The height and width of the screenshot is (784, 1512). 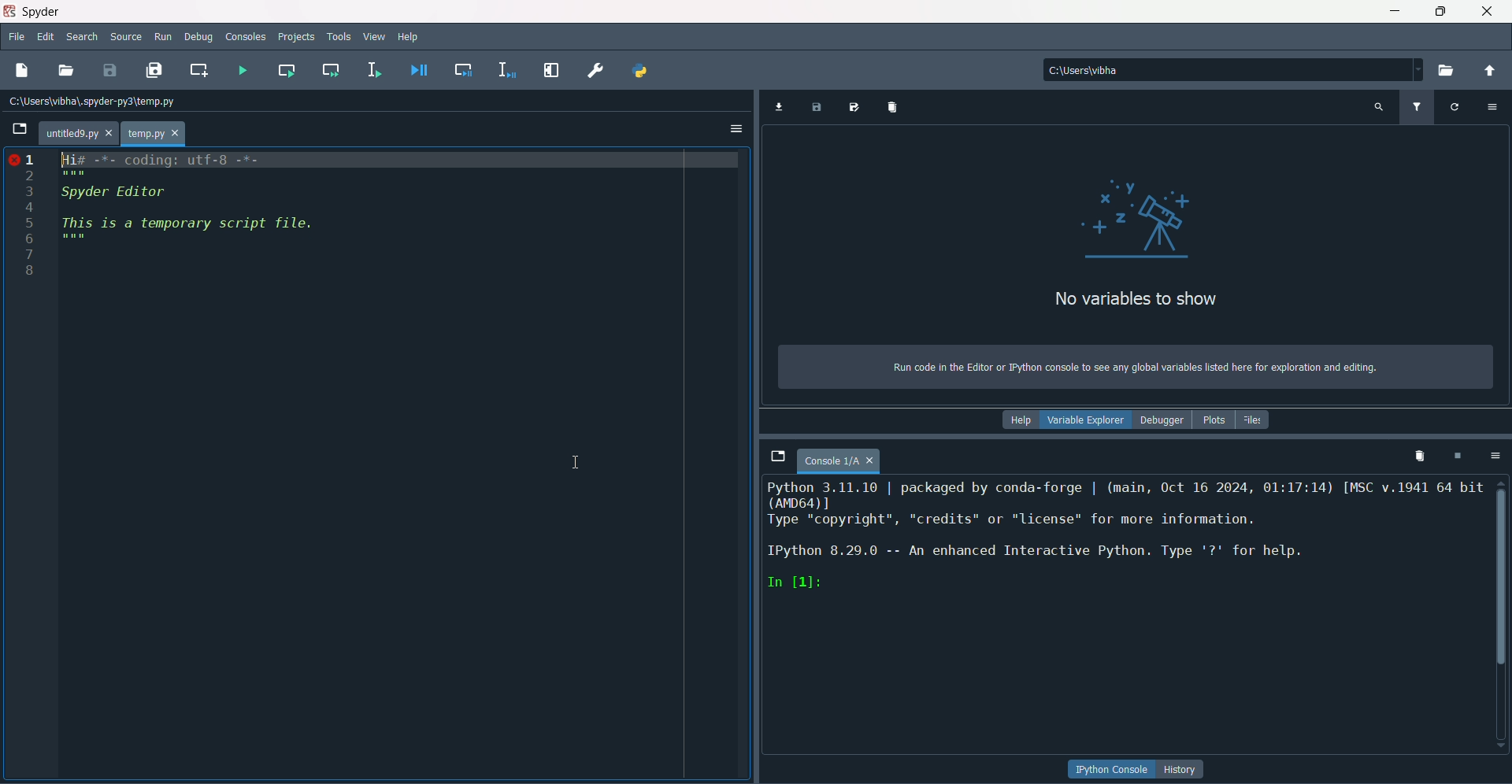 I want to click on filter variable, so click(x=1417, y=106).